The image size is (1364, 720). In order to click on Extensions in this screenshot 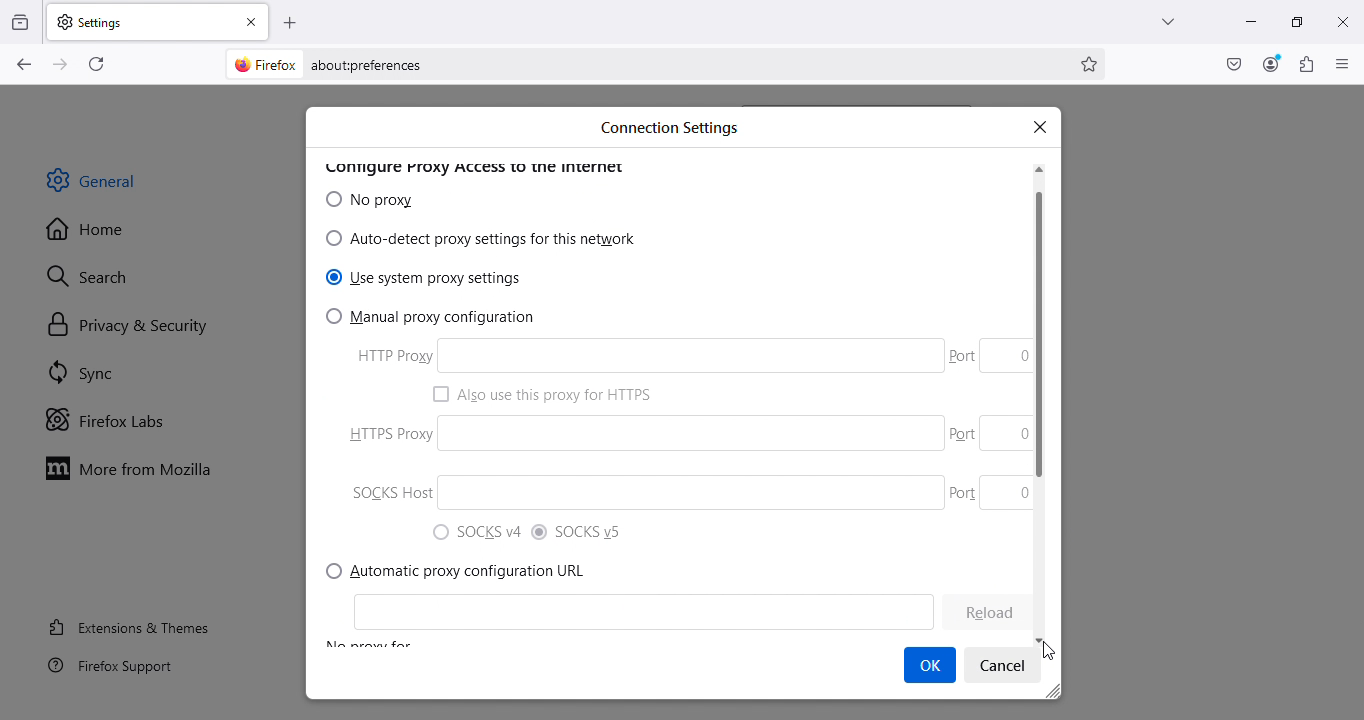, I will do `click(1307, 64)`.